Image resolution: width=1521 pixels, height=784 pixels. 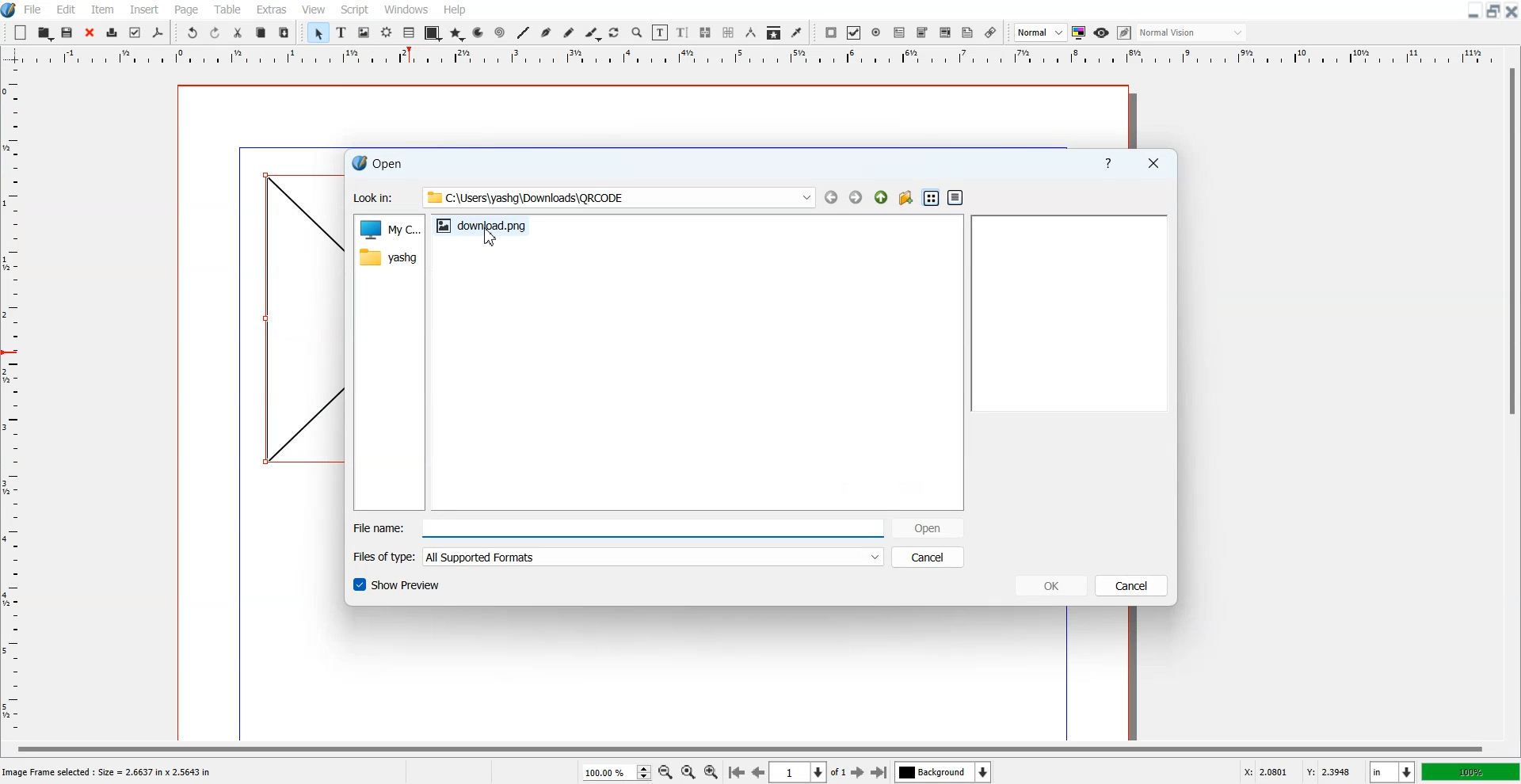 I want to click on Create new folder, so click(x=905, y=198).